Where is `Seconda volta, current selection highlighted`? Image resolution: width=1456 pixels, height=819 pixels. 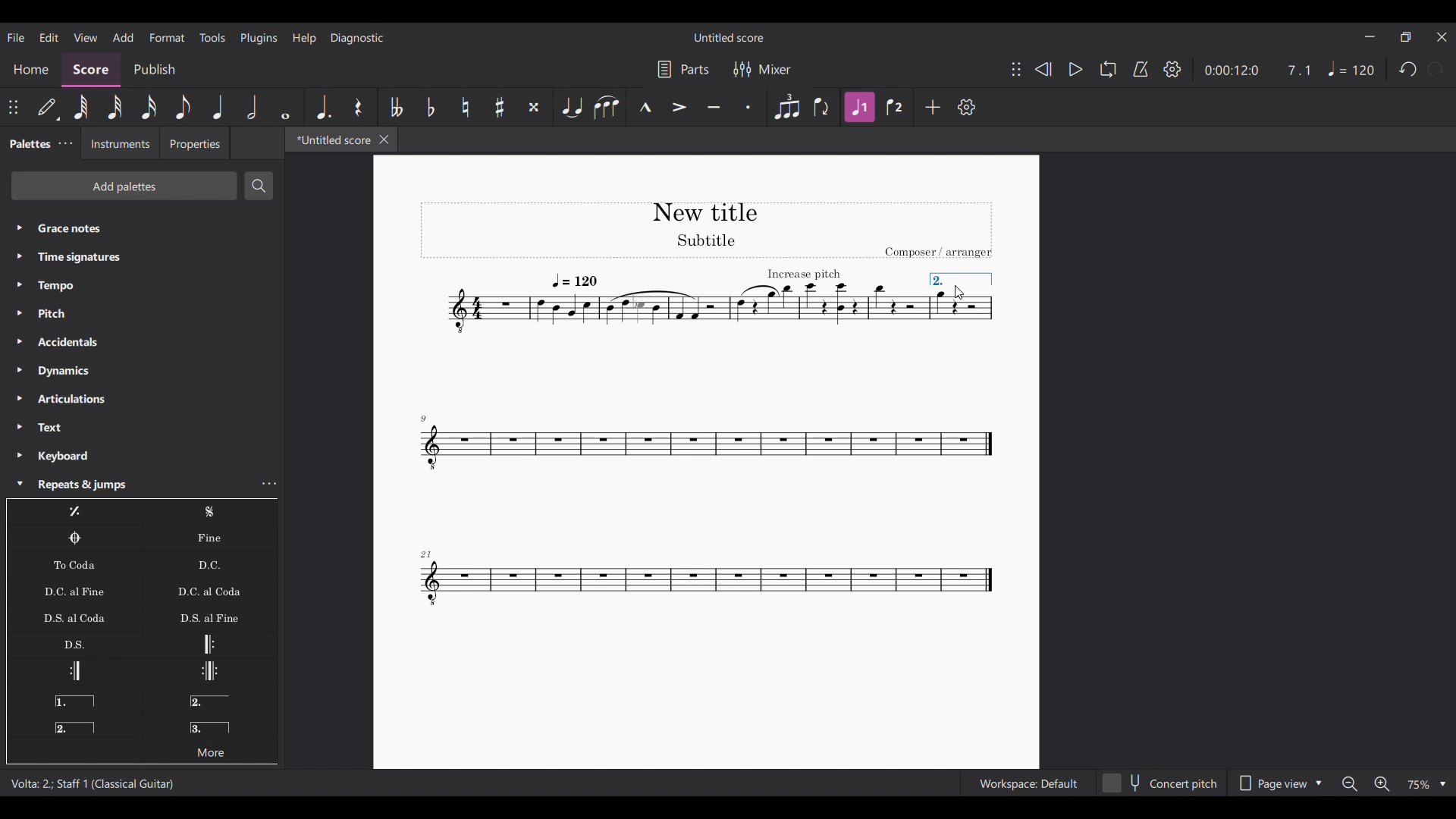 Seconda volta, current selection highlighted is located at coordinates (74, 724).